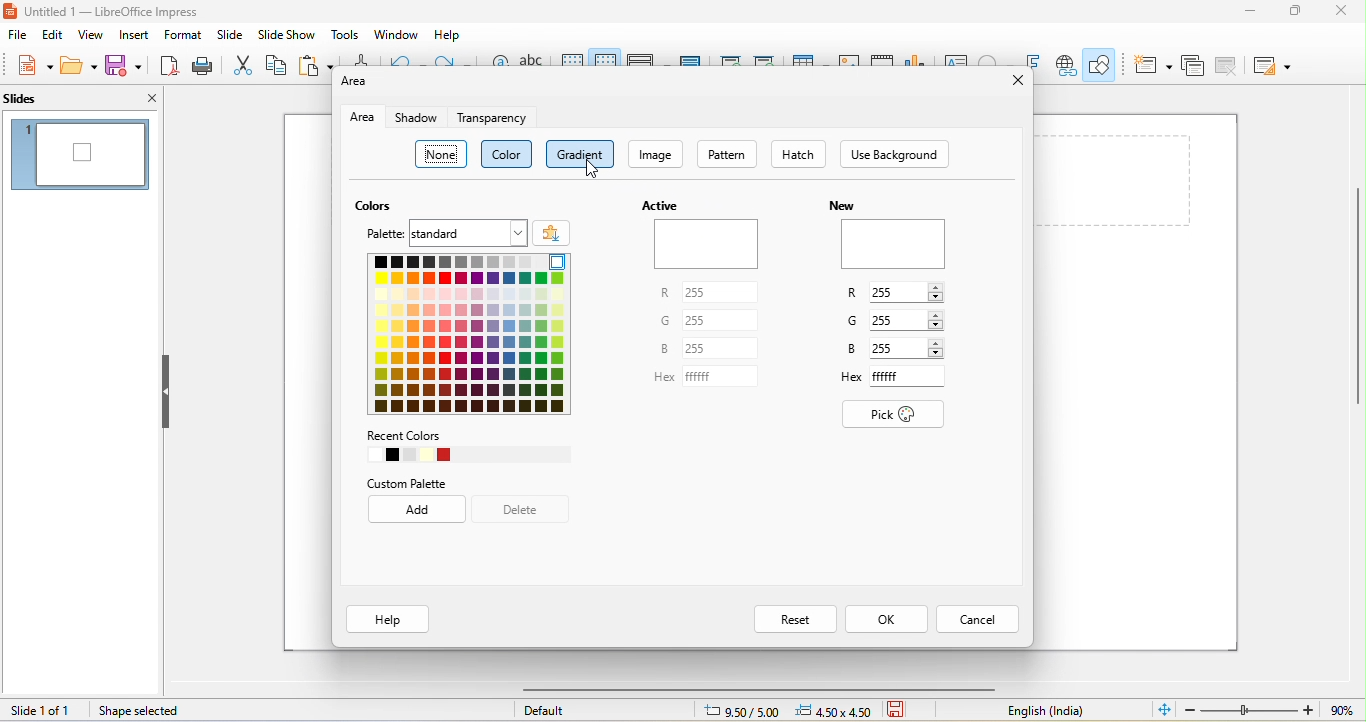  I want to click on export pdf, so click(169, 65).